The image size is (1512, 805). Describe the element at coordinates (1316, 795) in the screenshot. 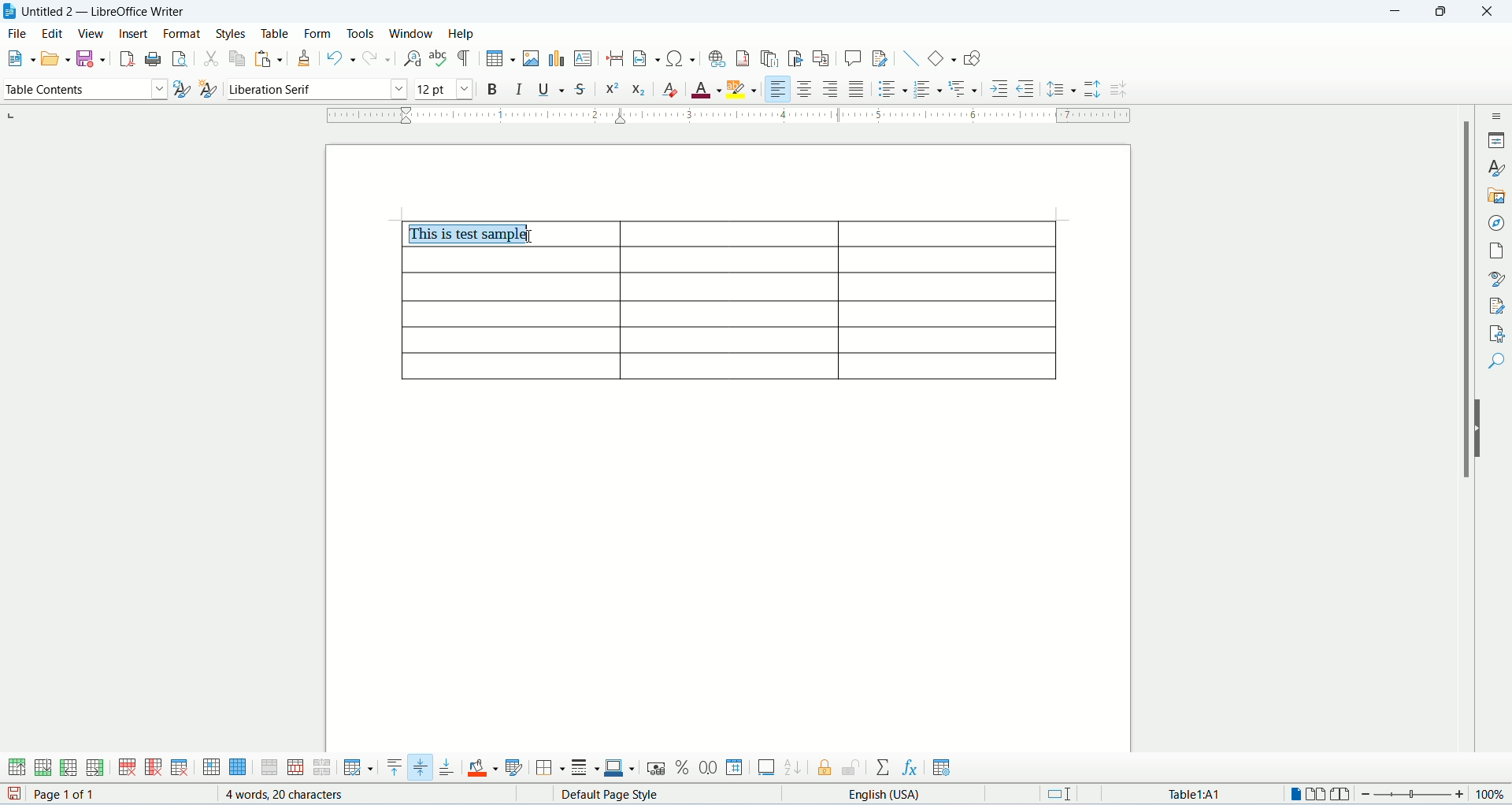

I see `two page view` at that location.